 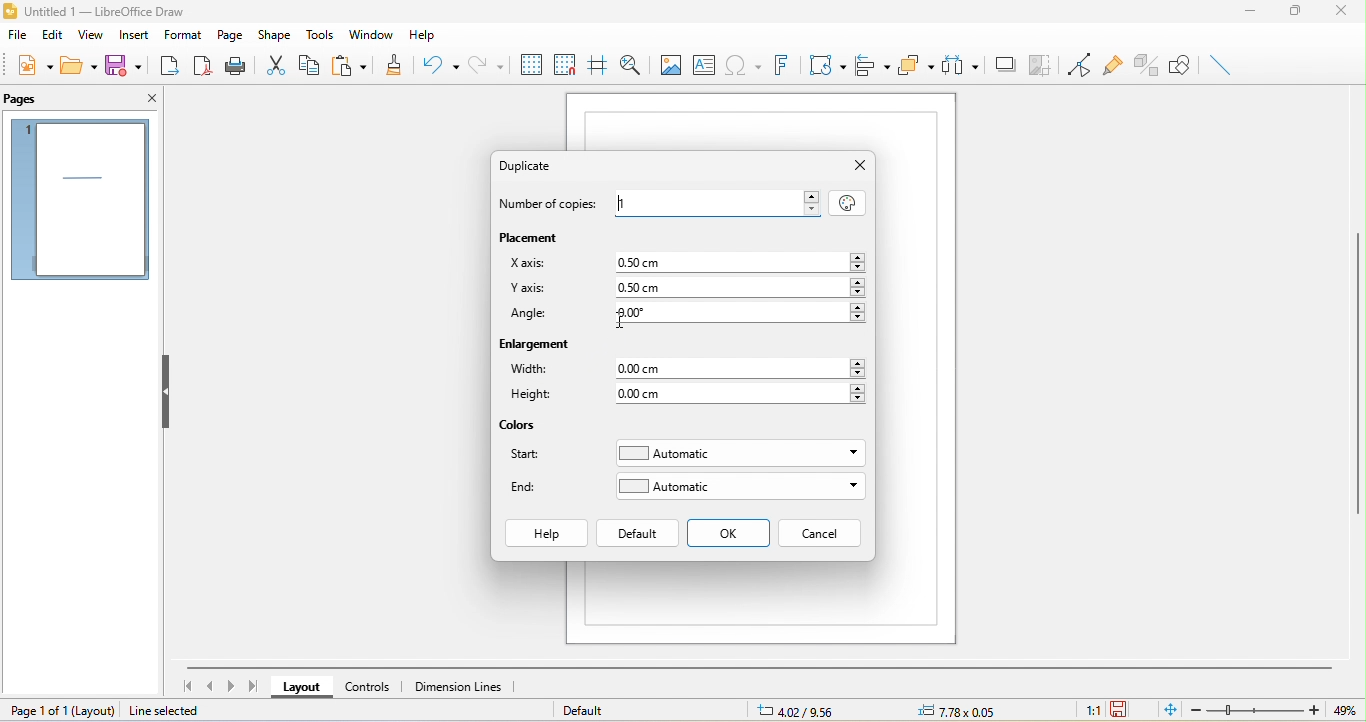 What do you see at coordinates (316, 68) in the screenshot?
I see `copy` at bounding box center [316, 68].